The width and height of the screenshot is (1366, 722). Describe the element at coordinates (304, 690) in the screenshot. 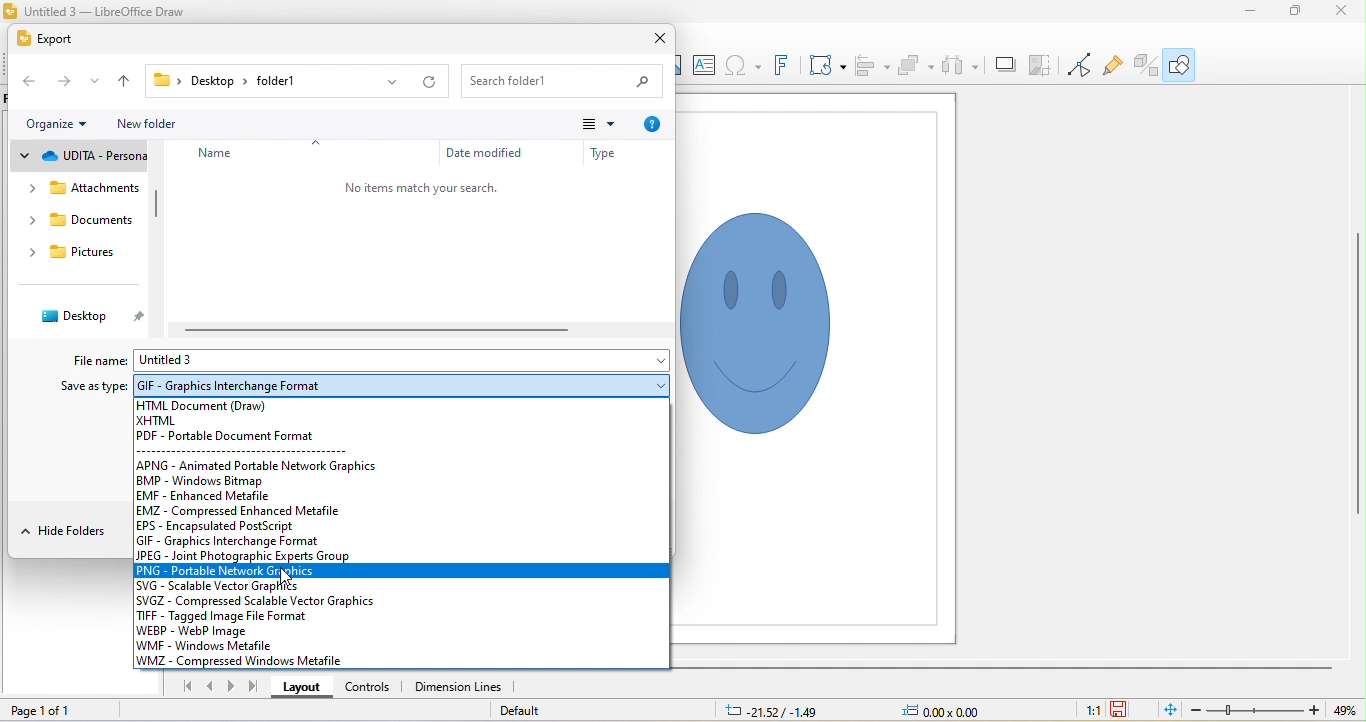

I see `layout` at that location.